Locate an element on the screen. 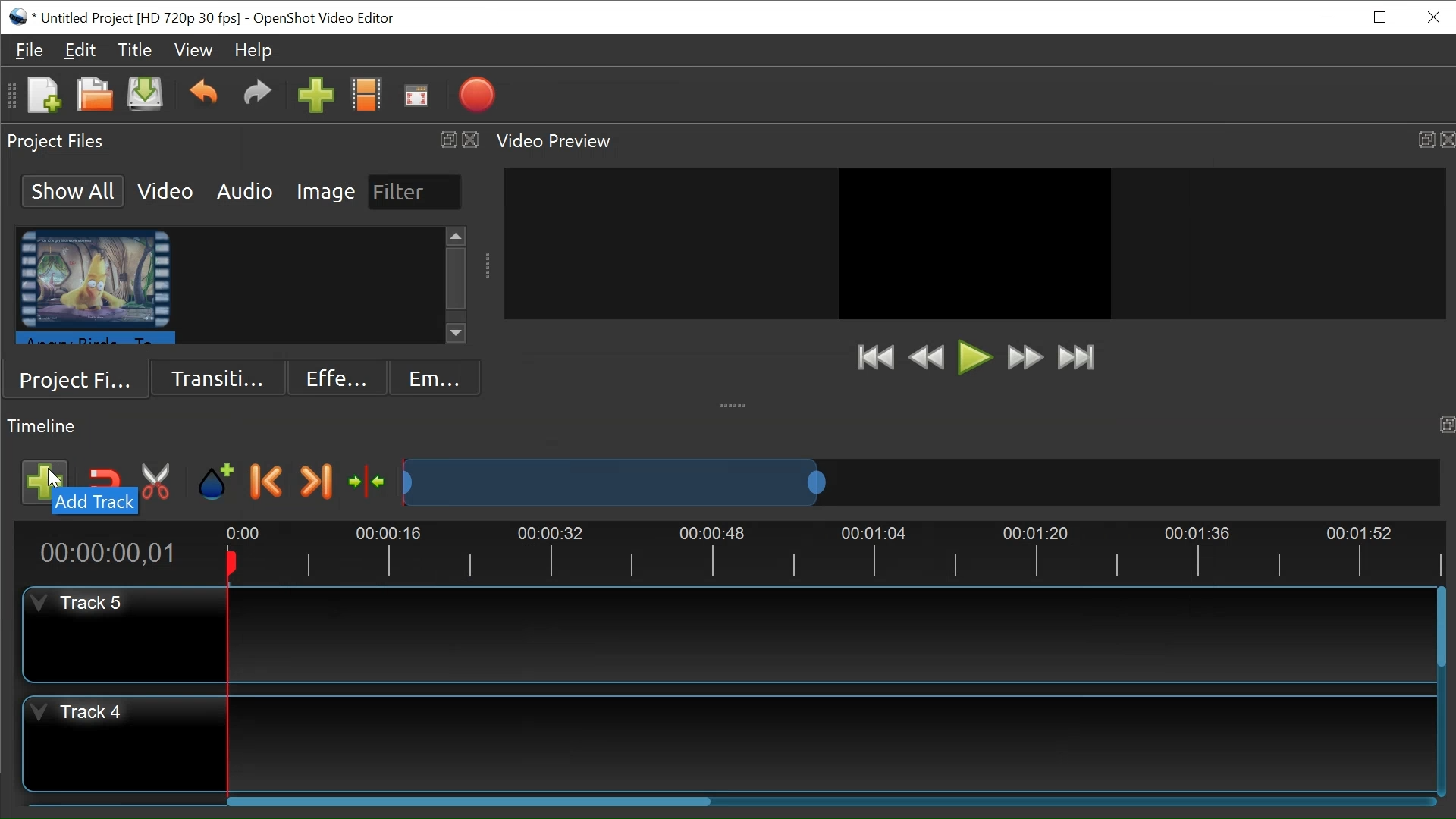  Next Marker is located at coordinates (317, 481).